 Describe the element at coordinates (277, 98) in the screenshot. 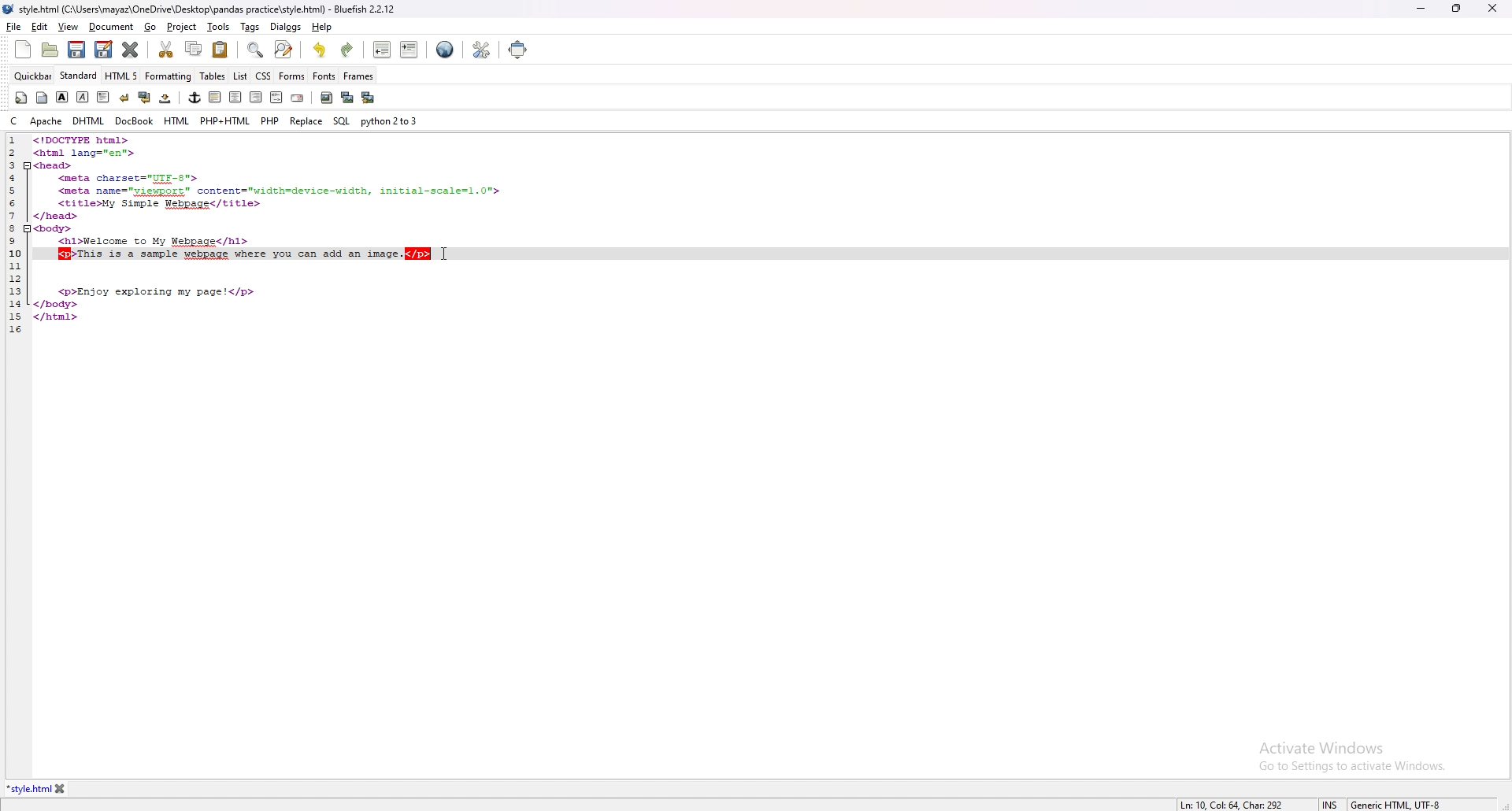

I see `html comment` at that location.